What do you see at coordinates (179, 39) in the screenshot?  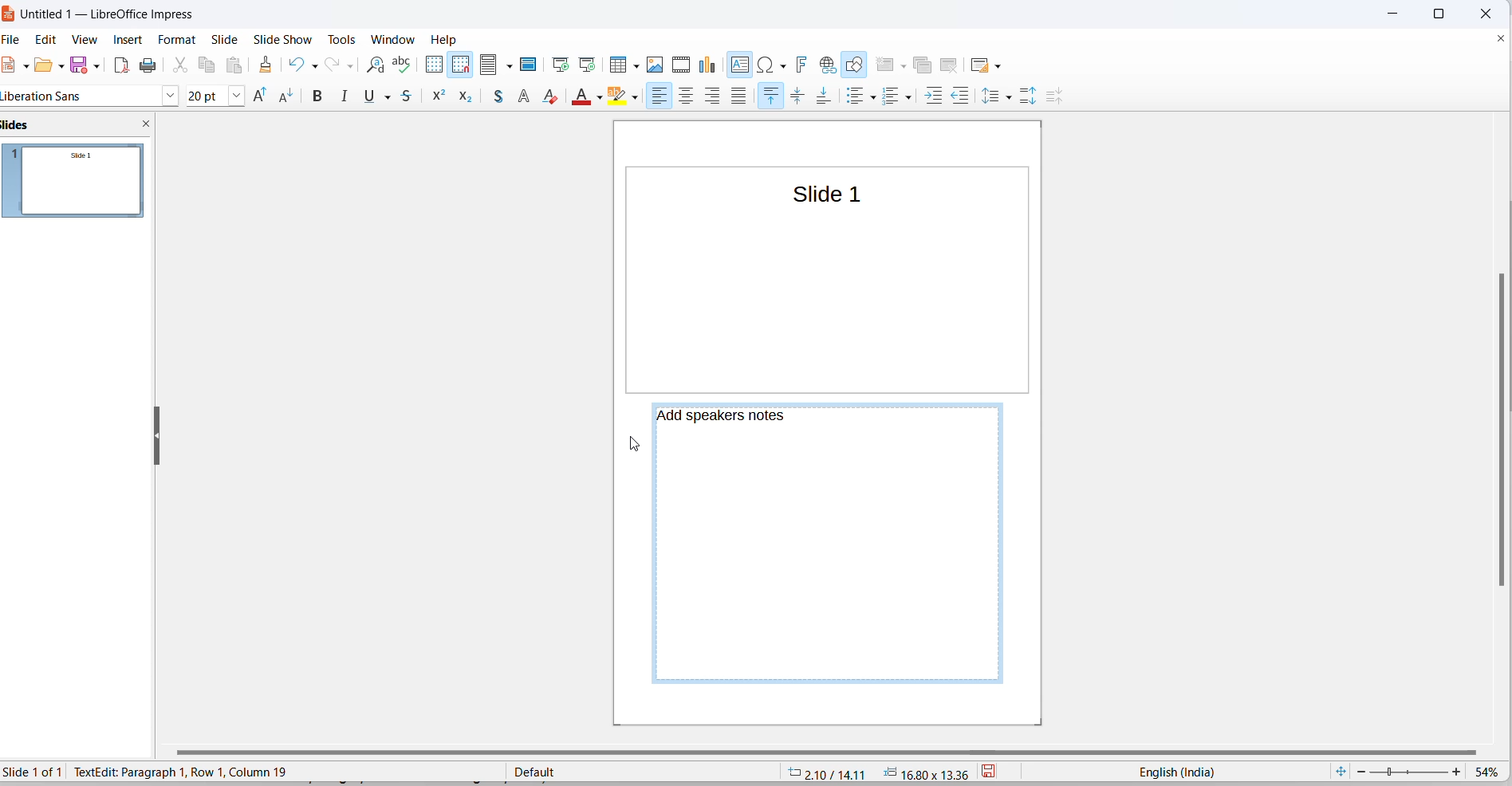 I see `format` at bounding box center [179, 39].